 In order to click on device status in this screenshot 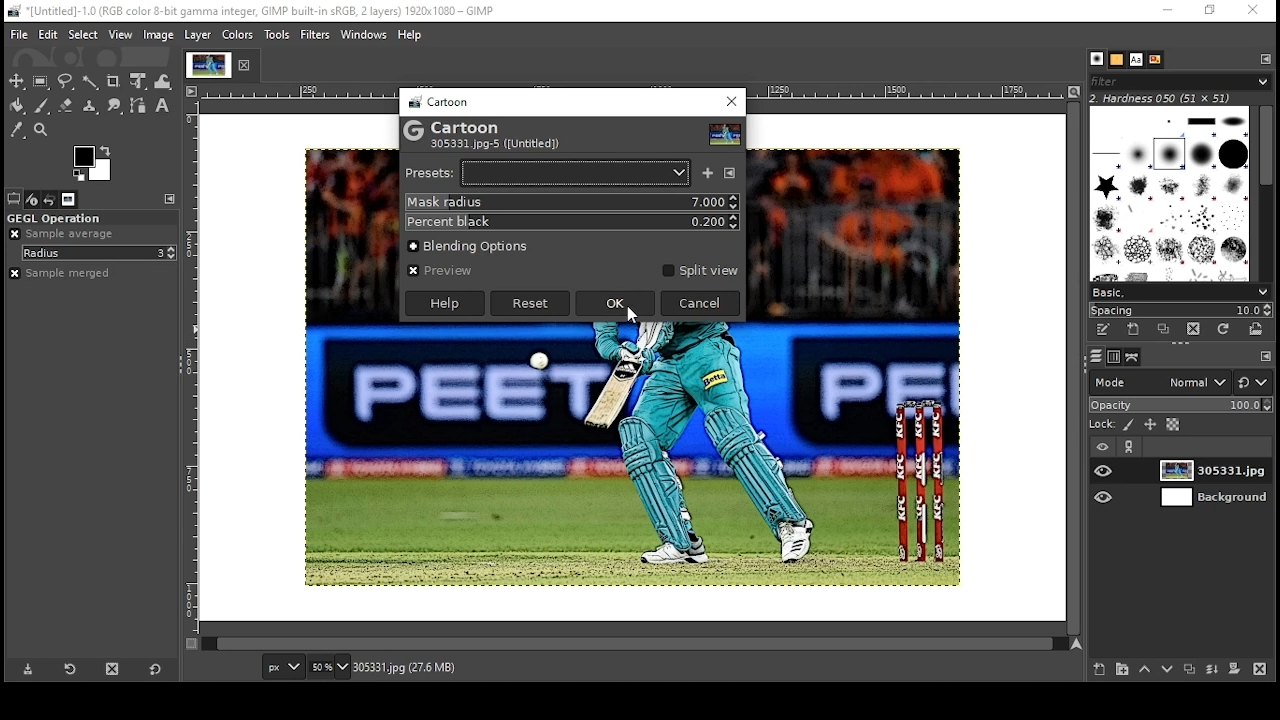, I will do `click(32, 199)`.